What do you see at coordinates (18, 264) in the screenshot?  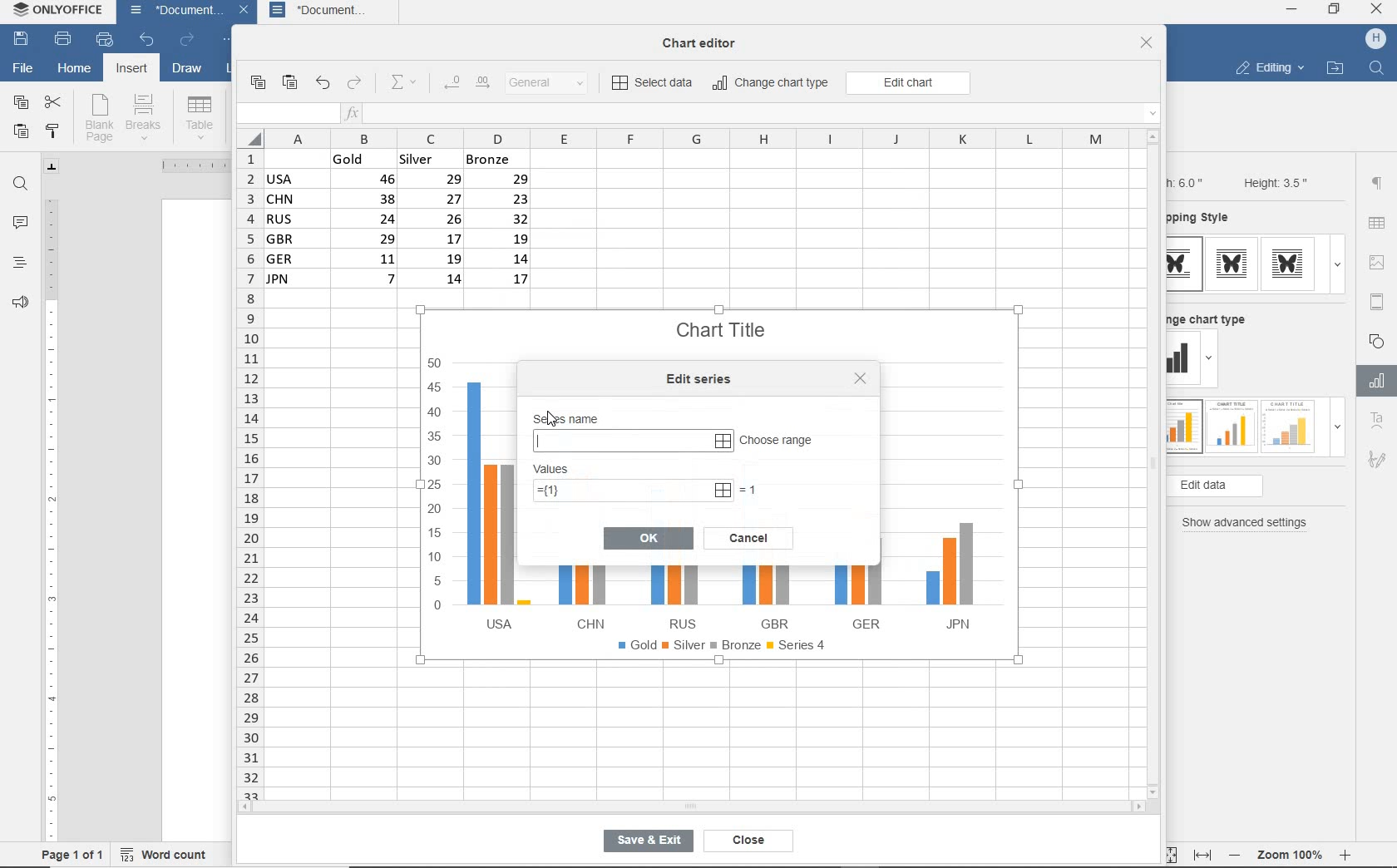 I see `headings` at bounding box center [18, 264].